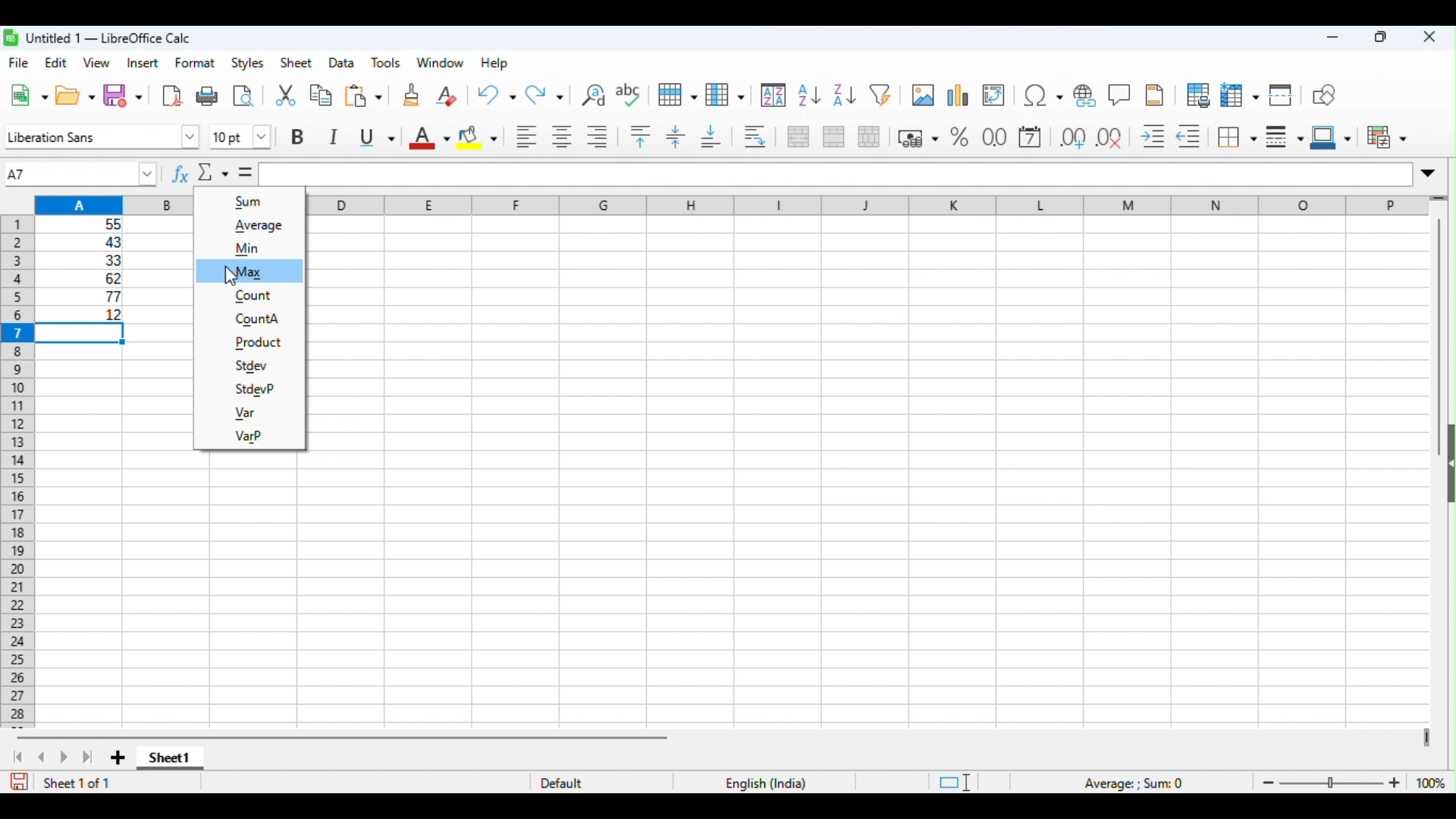  Describe the element at coordinates (379, 137) in the screenshot. I see `underline` at that location.